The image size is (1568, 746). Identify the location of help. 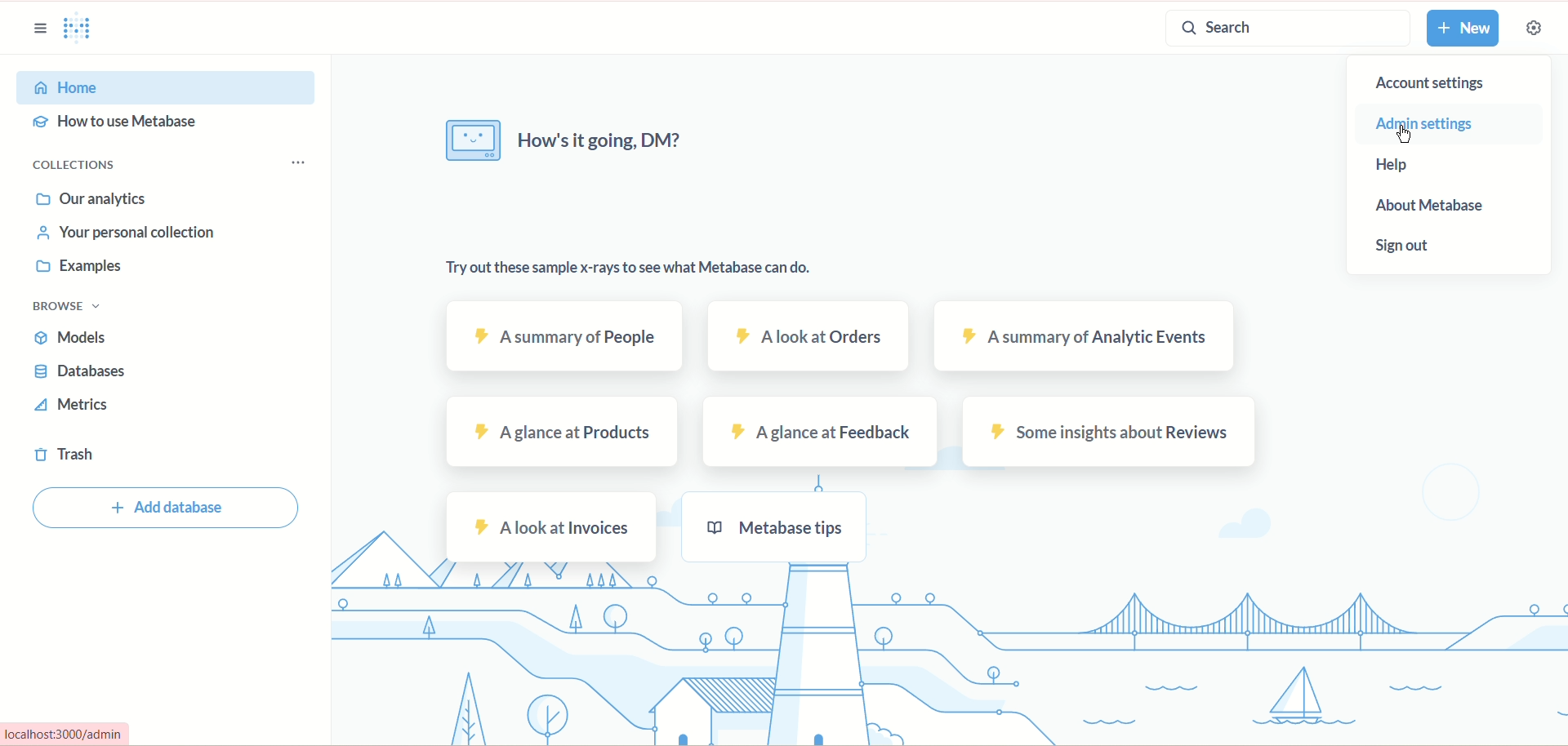
(1388, 165).